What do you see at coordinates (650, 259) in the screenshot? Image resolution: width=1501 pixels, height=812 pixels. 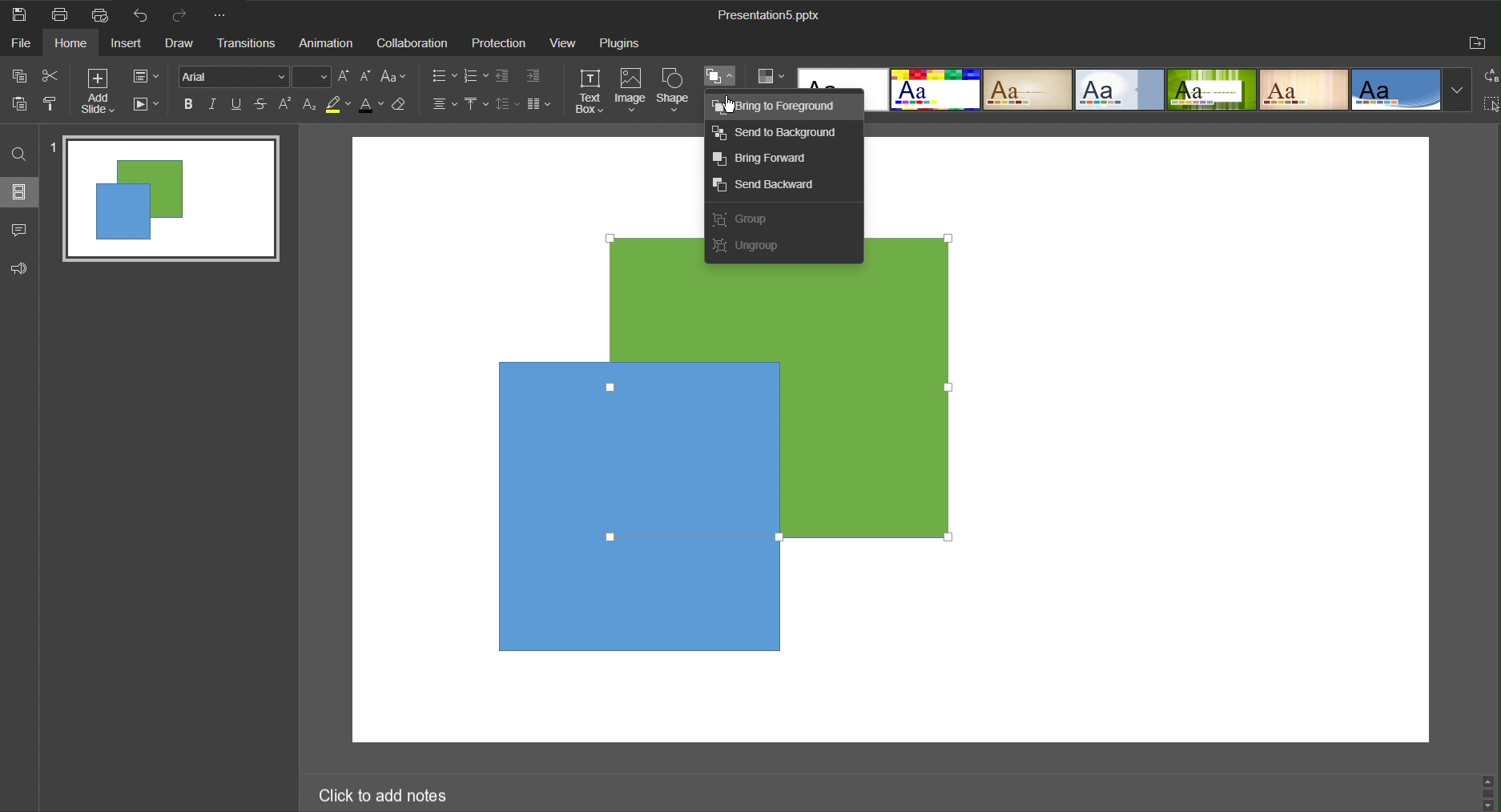 I see `shaoe` at bounding box center [650, 259].